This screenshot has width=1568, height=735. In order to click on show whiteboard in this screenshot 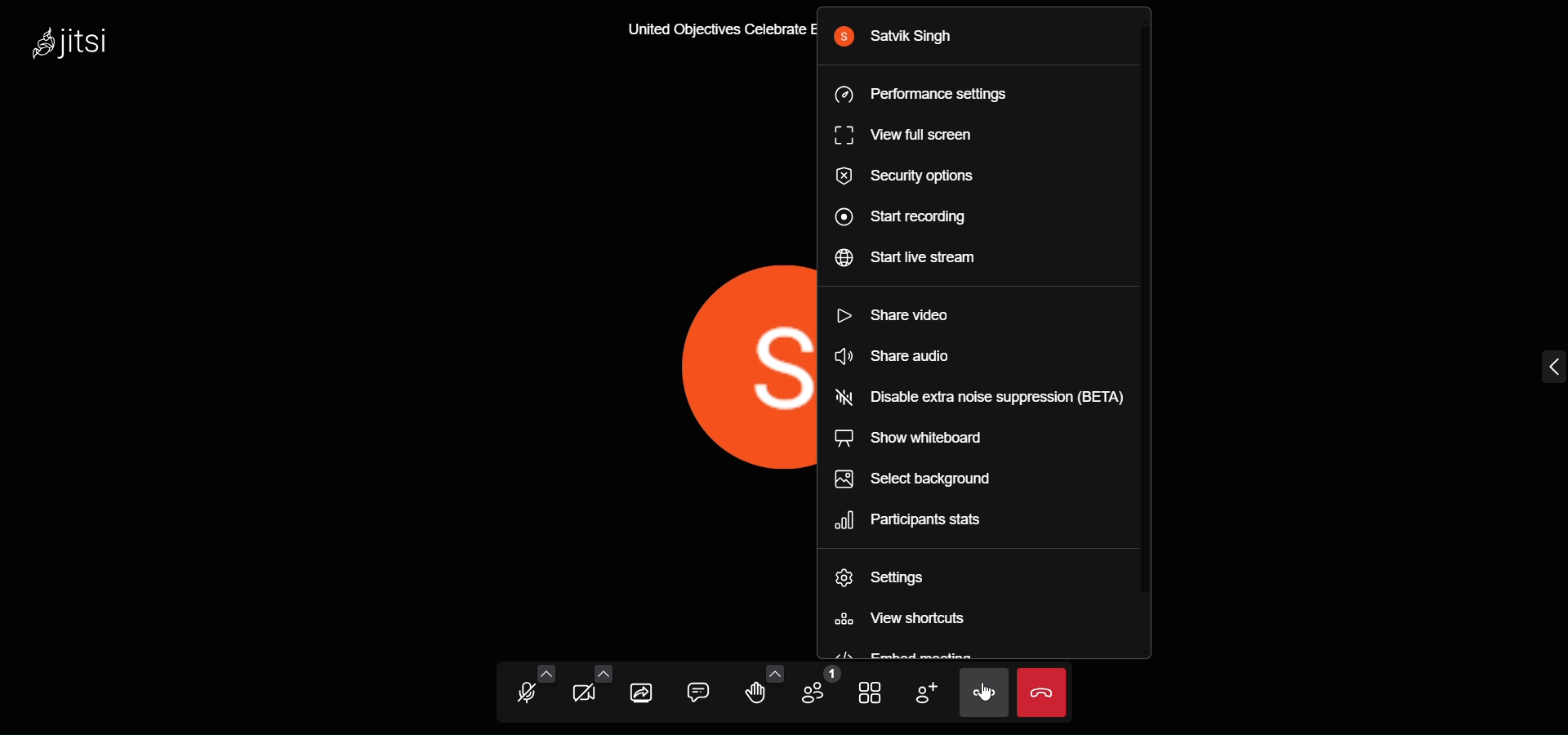, I will do `click(955, 436)`.